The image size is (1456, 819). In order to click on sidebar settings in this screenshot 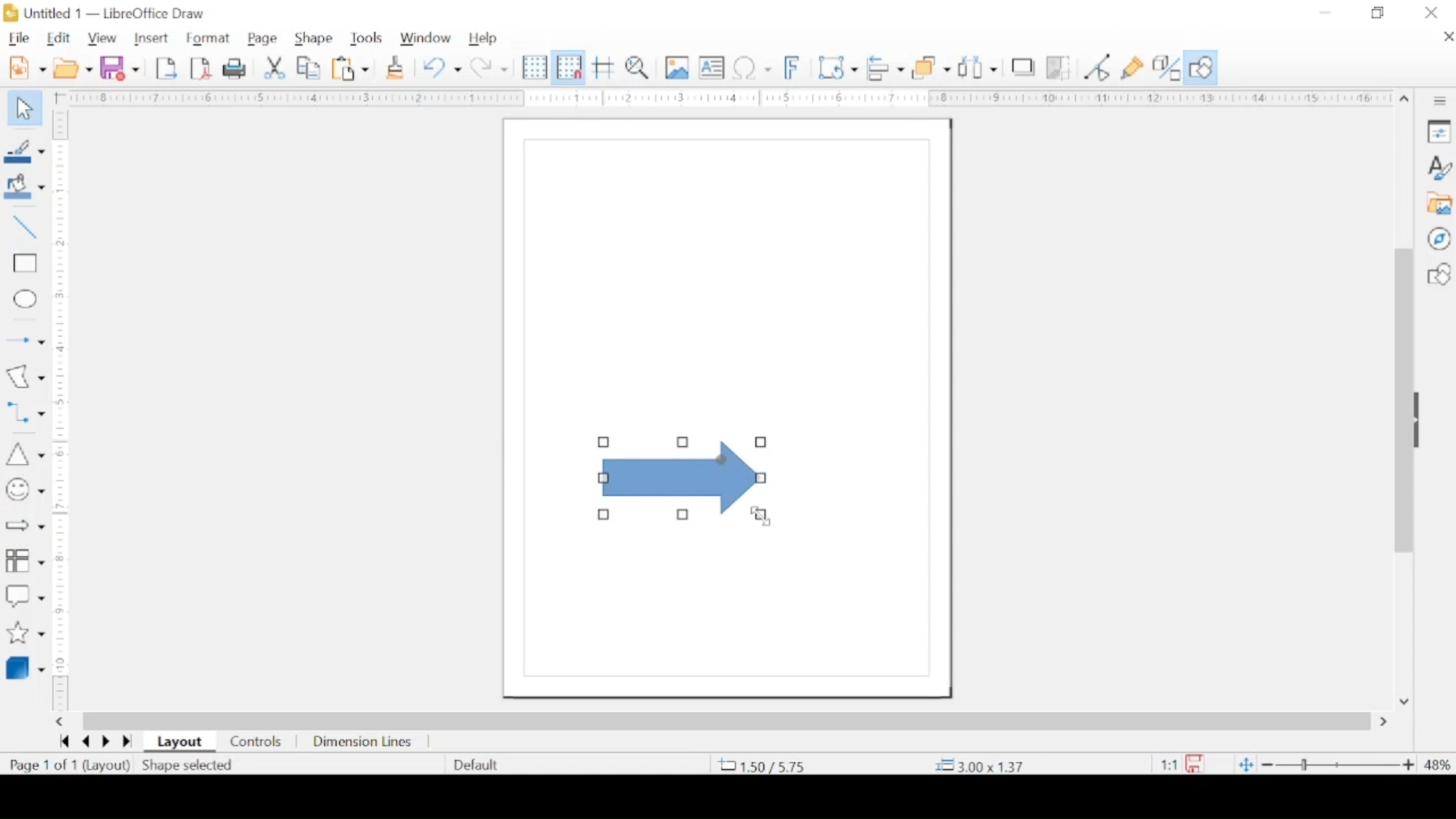, I will do `click(1442, 102)`.